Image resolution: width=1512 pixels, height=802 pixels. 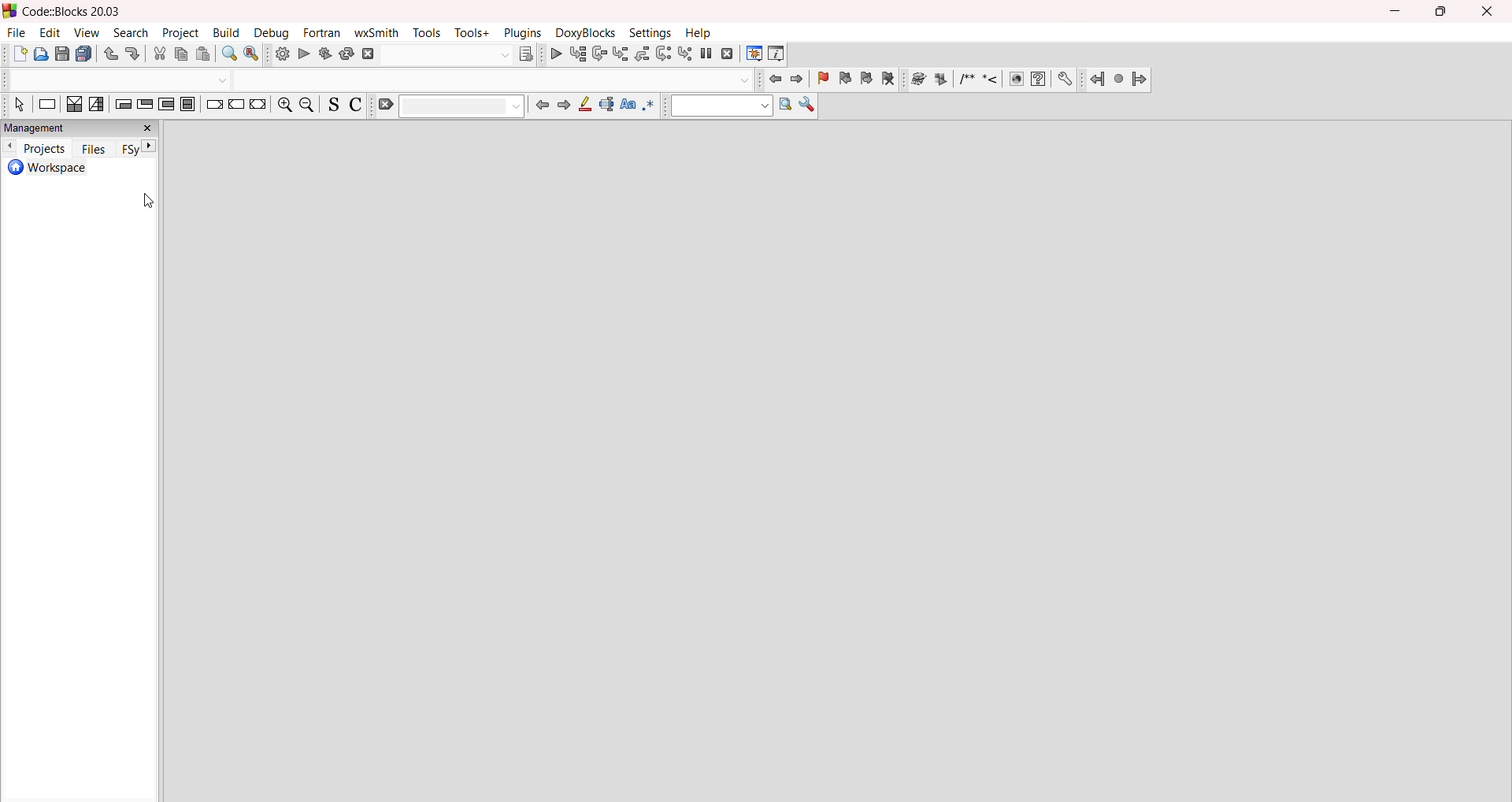 What do you see at coordinates (642, 54) in the screenshot?
I see `step out` at bounding box center [642, 54].